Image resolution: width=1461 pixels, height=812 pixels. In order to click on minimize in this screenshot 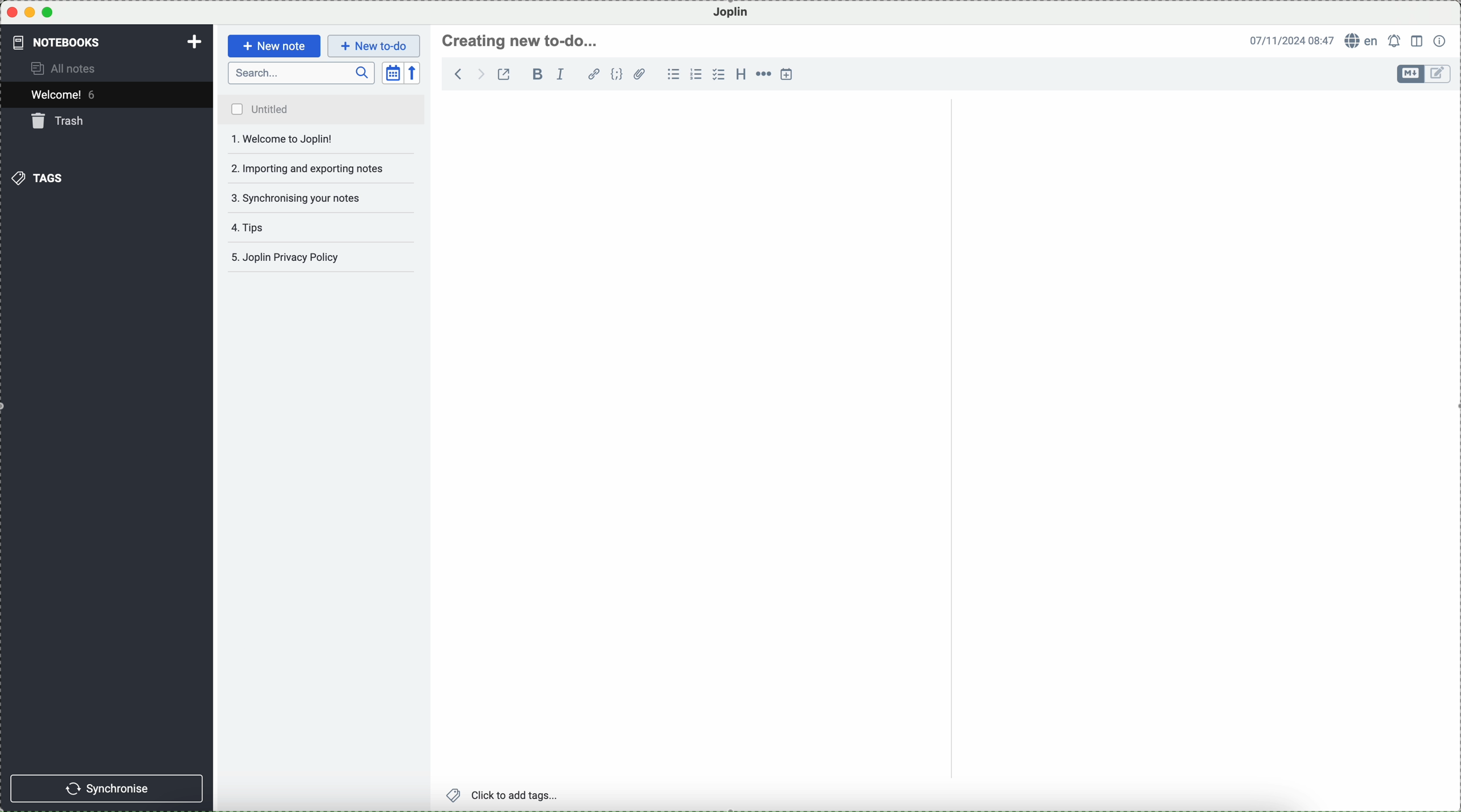, I will do `click(31, 12)`.